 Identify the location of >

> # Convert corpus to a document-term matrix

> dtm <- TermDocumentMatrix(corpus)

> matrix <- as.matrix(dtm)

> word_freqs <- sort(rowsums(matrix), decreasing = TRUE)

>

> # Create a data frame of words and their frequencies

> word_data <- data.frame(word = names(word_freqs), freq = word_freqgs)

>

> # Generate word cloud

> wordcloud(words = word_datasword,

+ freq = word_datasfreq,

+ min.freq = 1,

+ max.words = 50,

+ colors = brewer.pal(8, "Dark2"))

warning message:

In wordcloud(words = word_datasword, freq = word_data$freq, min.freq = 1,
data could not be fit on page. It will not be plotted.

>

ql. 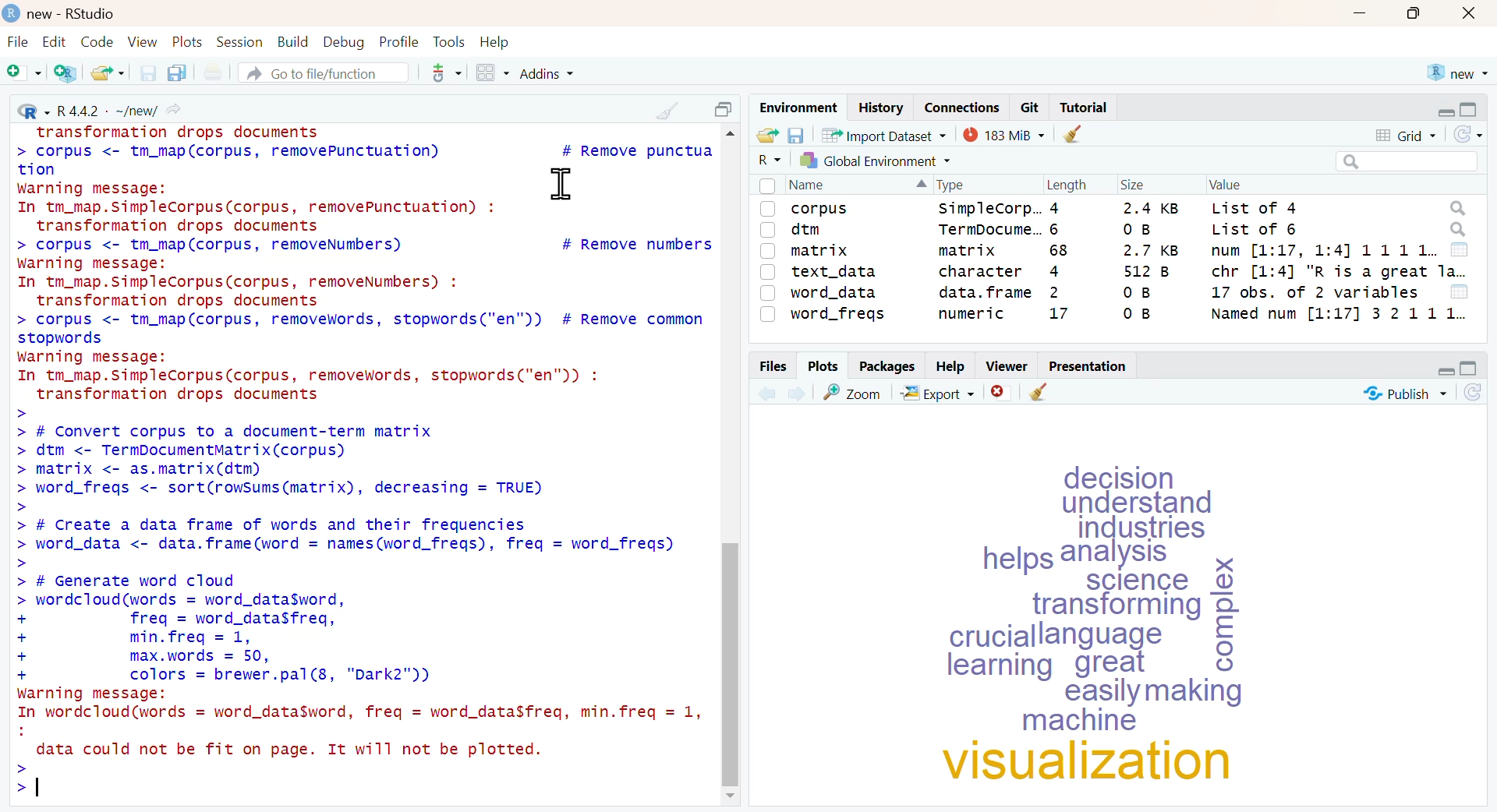
(359, 604).